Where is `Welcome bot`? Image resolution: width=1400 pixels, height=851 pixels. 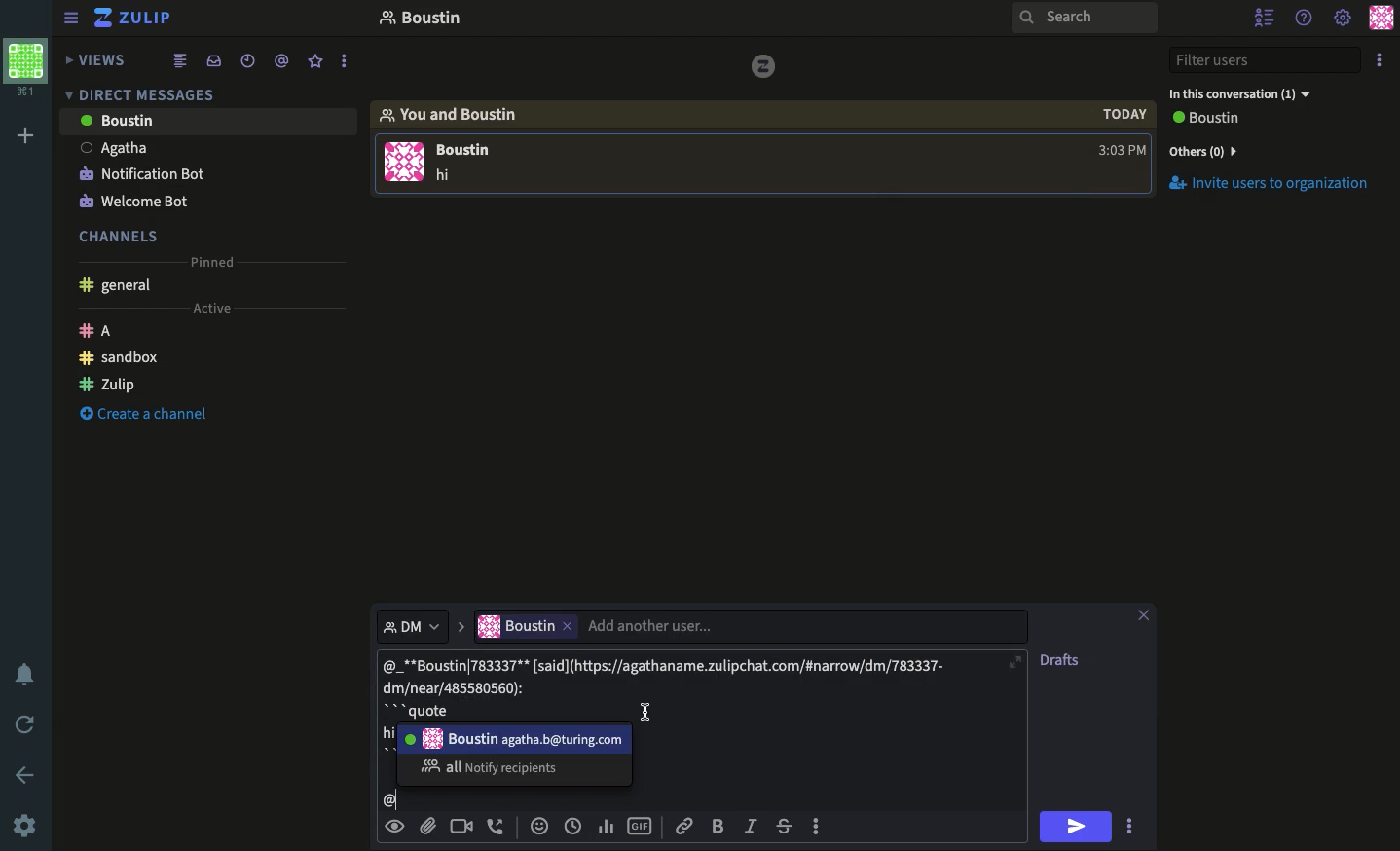 Welcome bot is located at coordinates (139, 197).